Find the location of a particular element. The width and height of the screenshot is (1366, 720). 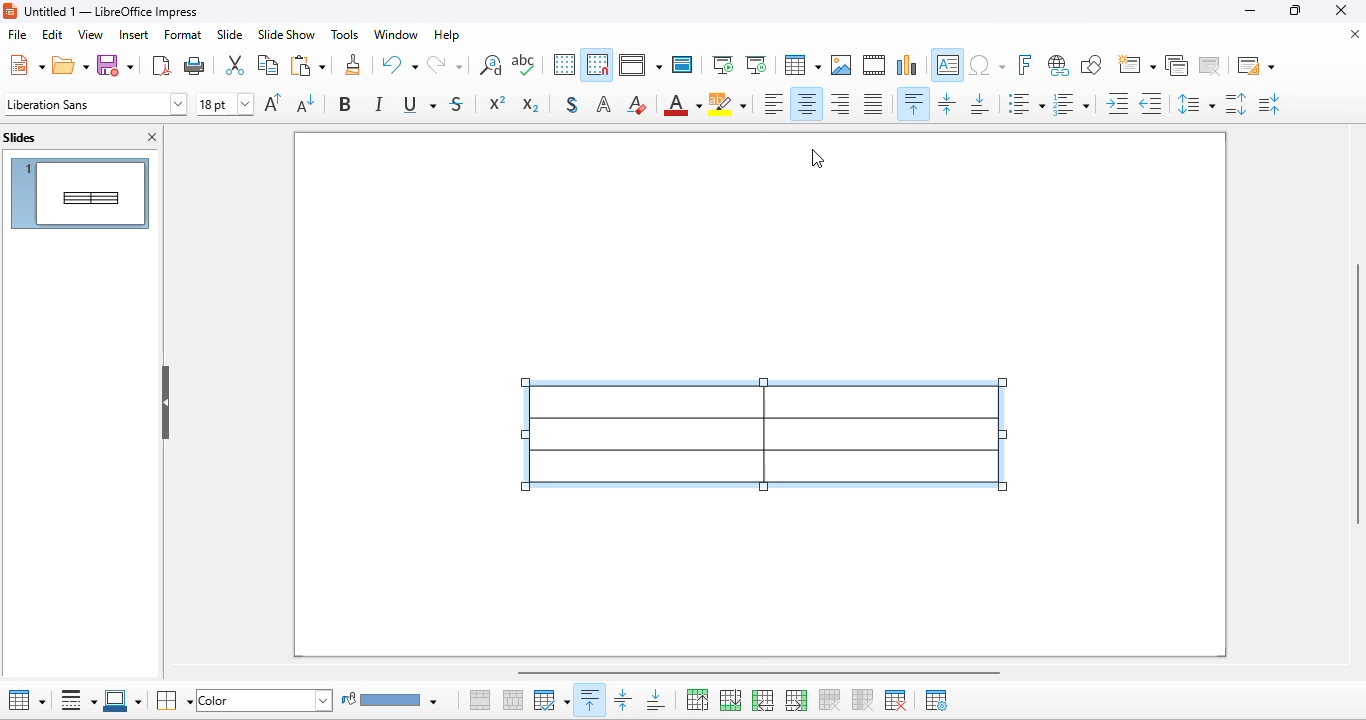

decrease indent is located at coordinates (1151, 103).